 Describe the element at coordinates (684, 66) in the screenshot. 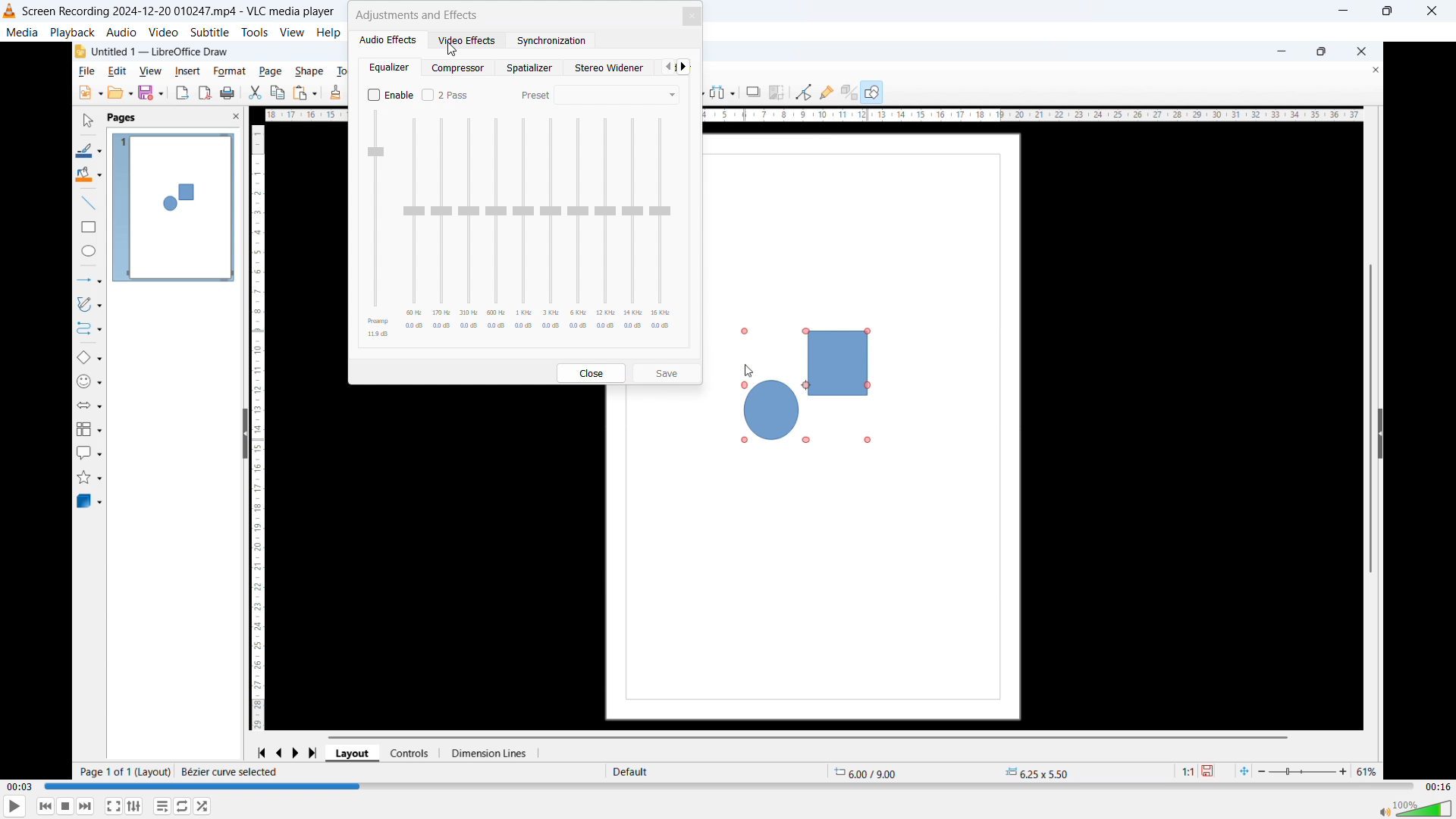

I see `Scroll right ` at that location.